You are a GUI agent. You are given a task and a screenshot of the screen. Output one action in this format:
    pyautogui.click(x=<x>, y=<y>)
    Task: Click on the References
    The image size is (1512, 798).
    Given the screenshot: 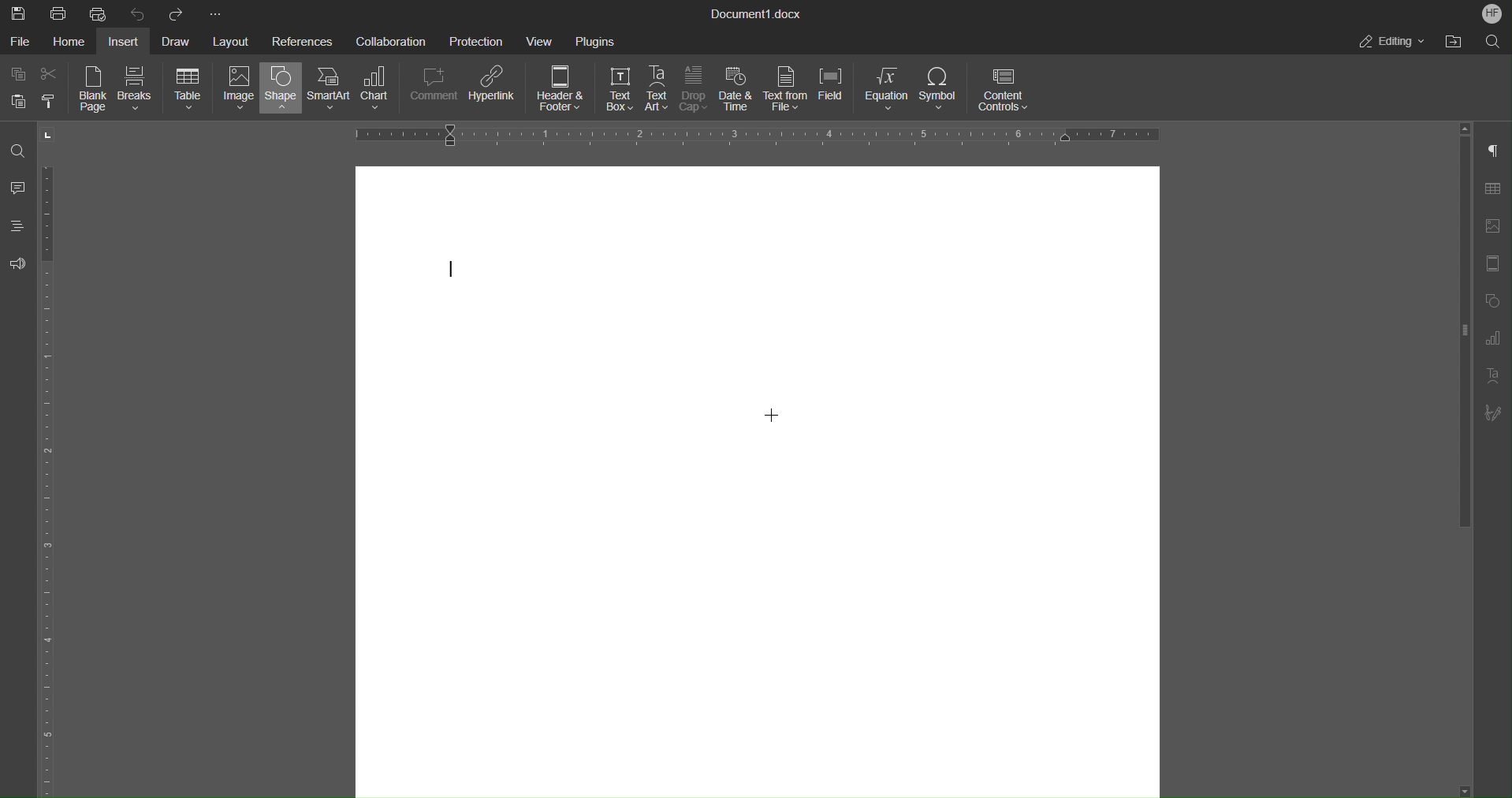 What is the action you would take?
    pyautogui.click(x=302, y=40)
    